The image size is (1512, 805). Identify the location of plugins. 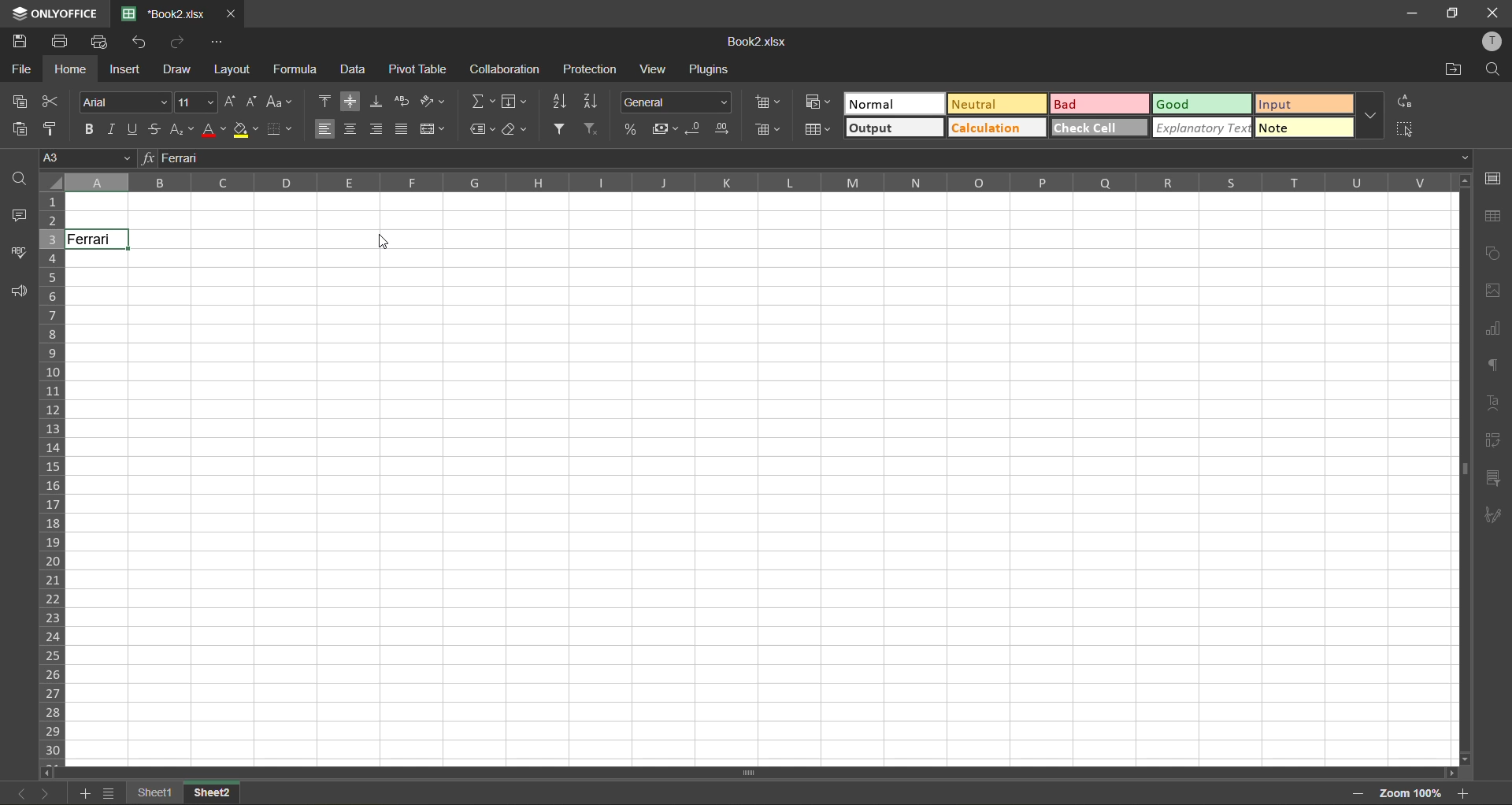
(706, 72).